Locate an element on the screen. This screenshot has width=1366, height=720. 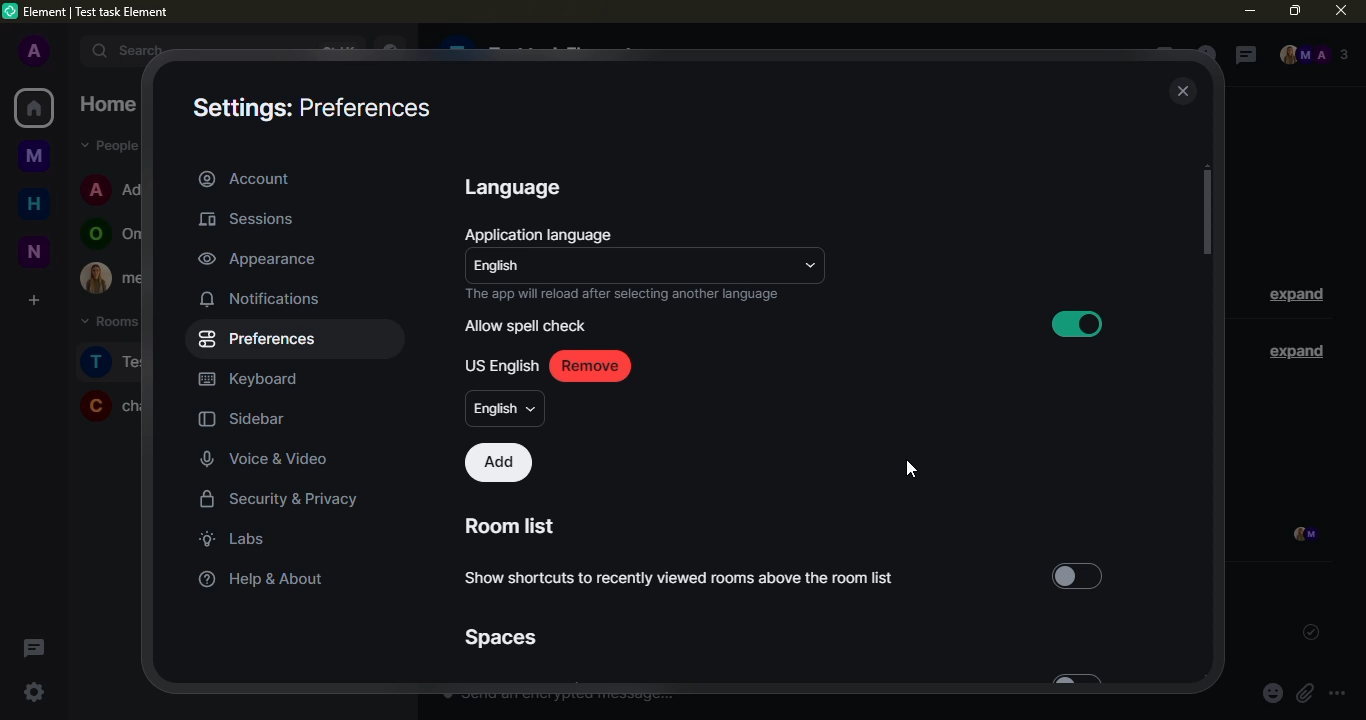
us english is located at coordinates (501, 367).